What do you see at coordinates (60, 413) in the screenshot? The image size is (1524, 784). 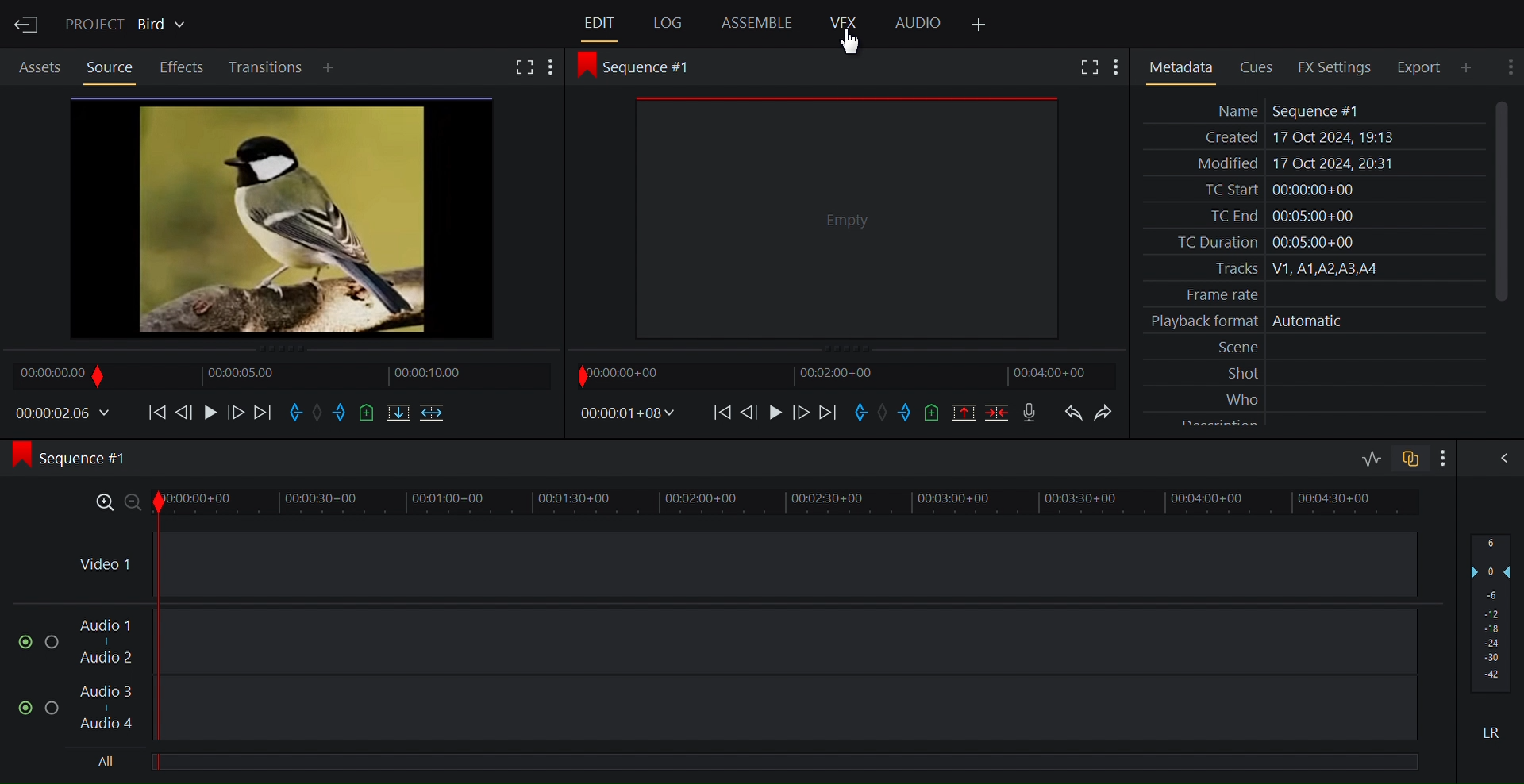 I see `Timecodes and reels` at bounding box center [60, 413].